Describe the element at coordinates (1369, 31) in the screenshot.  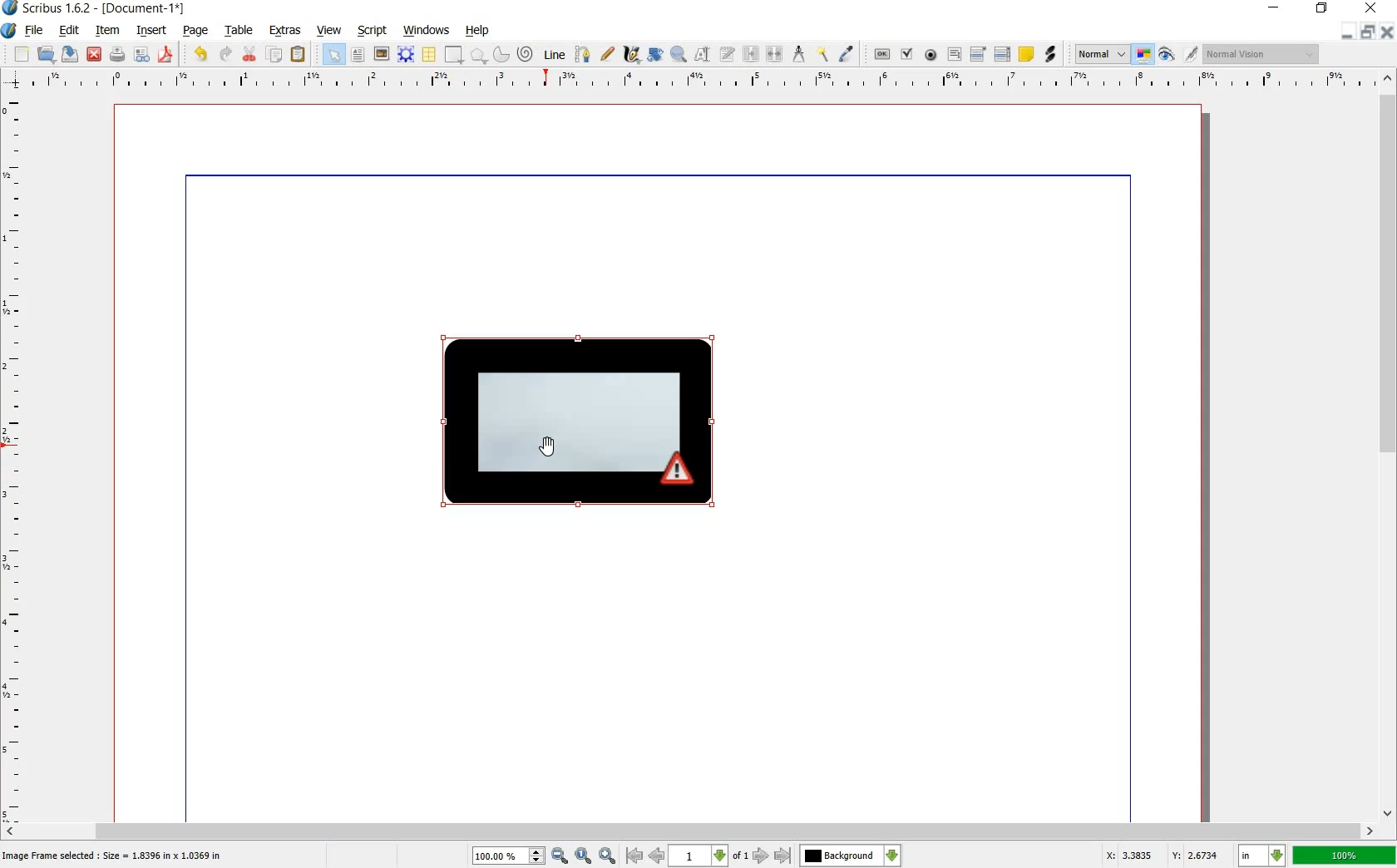
I see `restore document` at that location.